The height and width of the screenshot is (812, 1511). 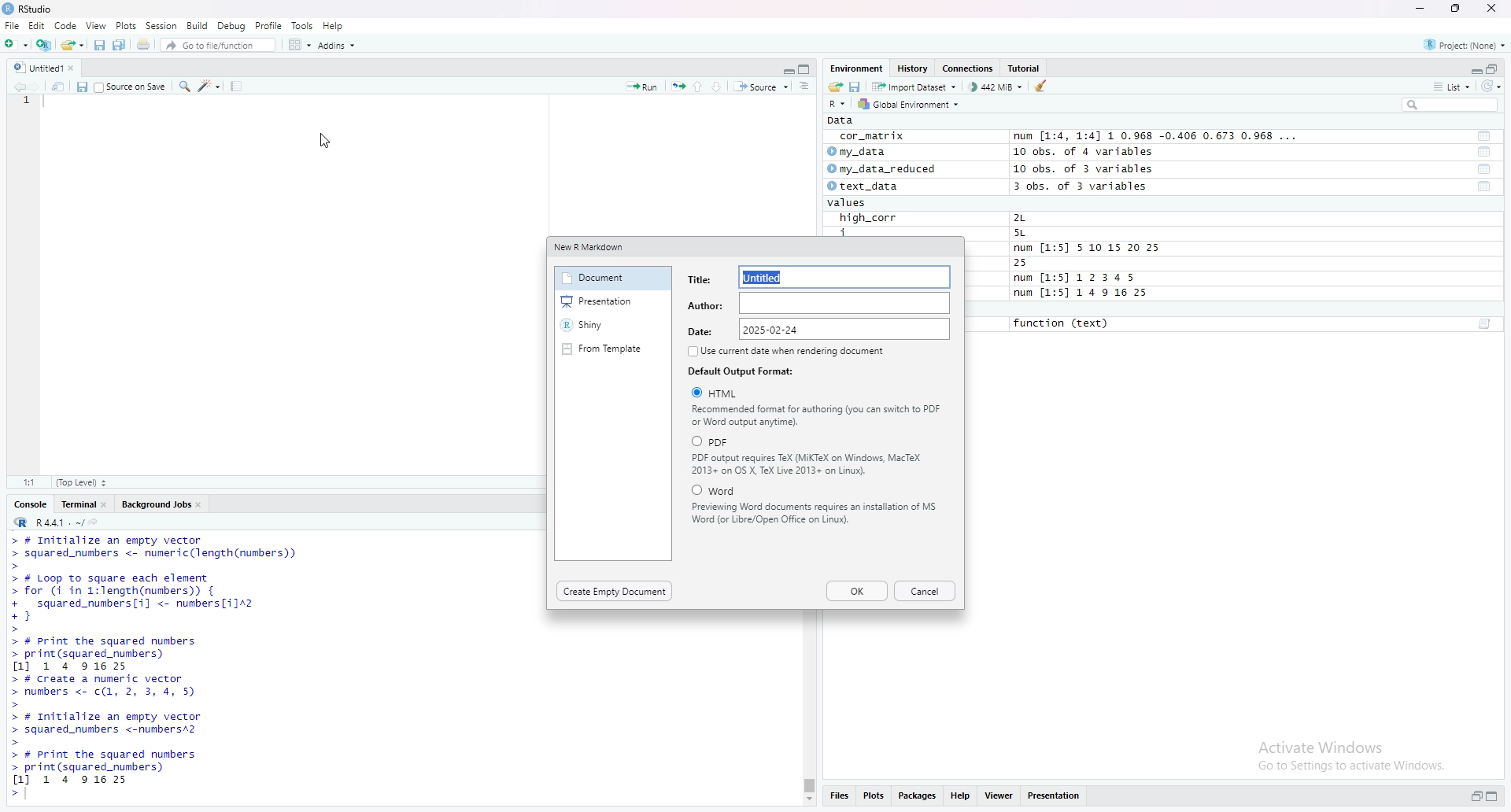 I want to click on 5L, so click(x=1036, y=232).